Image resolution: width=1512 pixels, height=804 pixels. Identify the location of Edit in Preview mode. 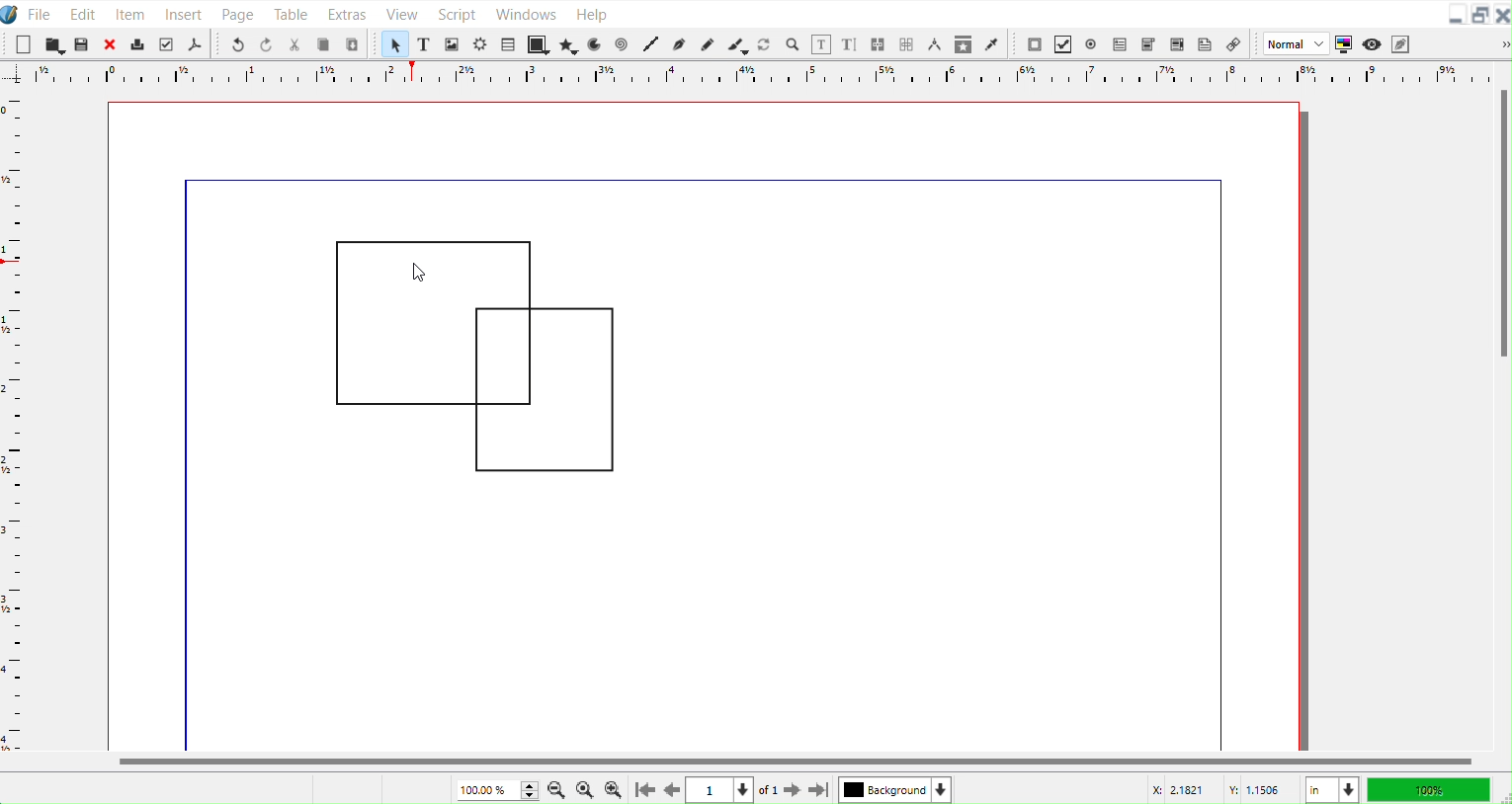
(1400, 42).